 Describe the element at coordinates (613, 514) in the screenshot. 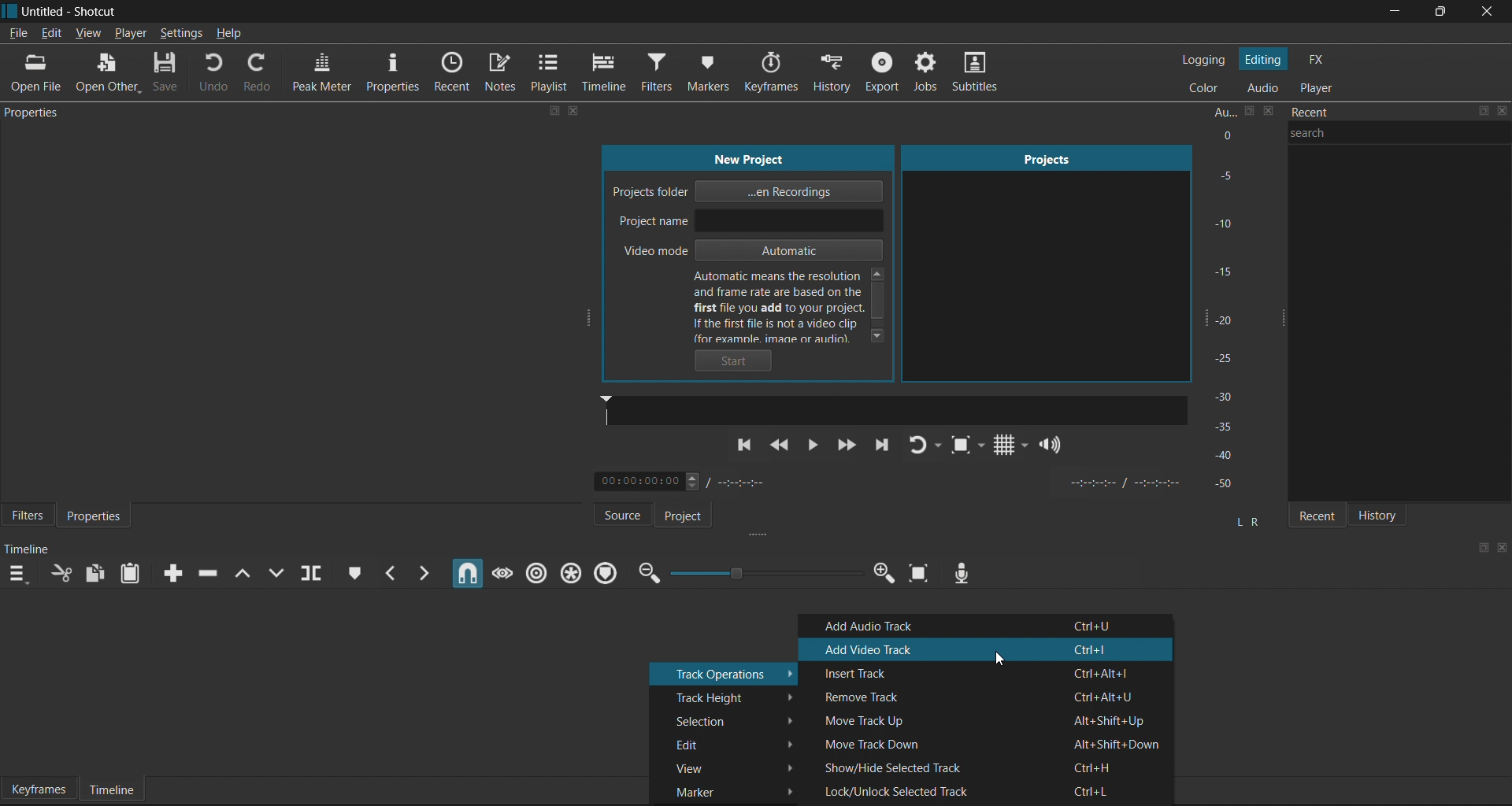

I see `Source` at that location.